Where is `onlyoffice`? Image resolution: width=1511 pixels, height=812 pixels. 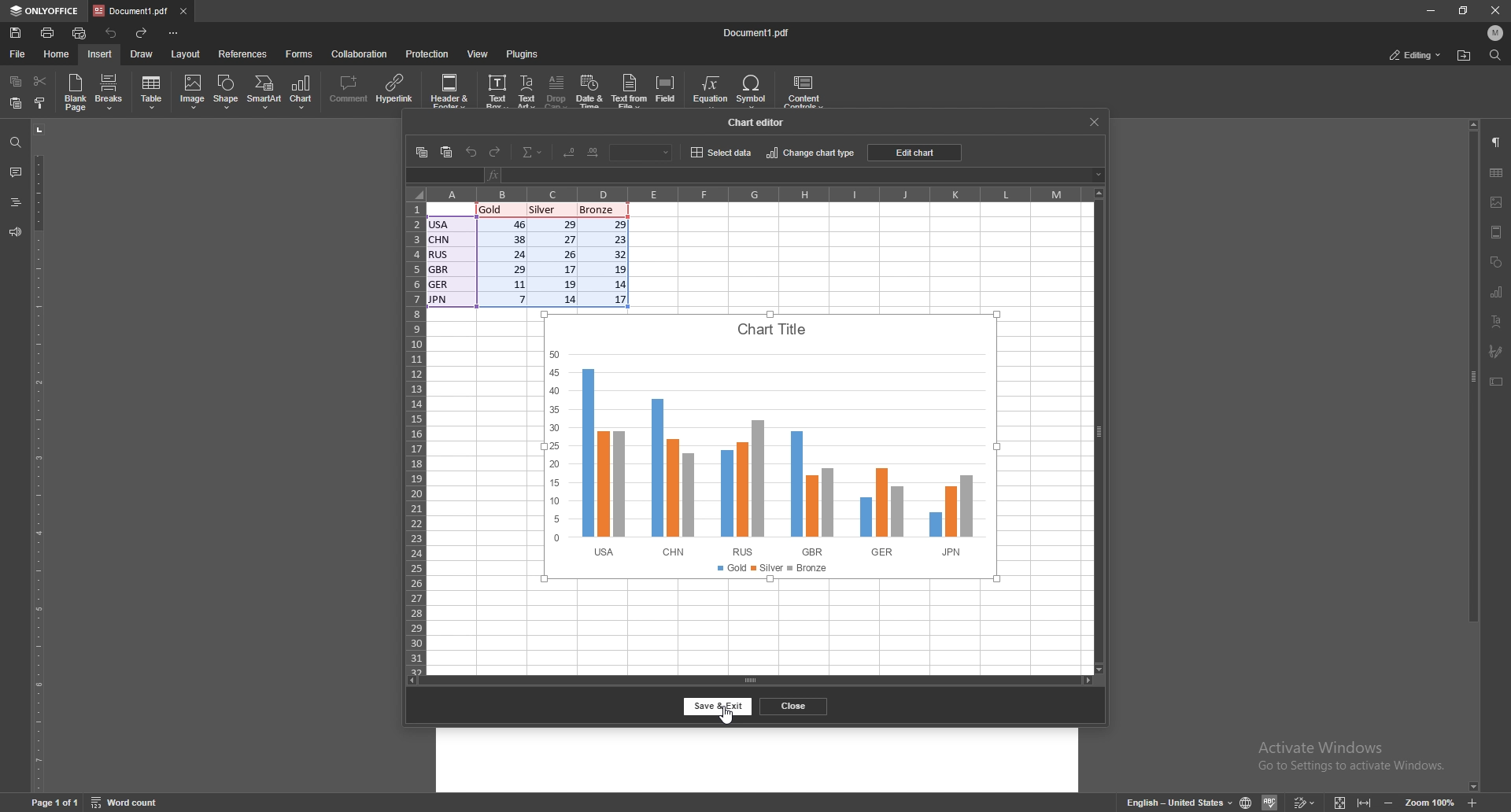
onlyoffice is located at coordinates (44, 11).